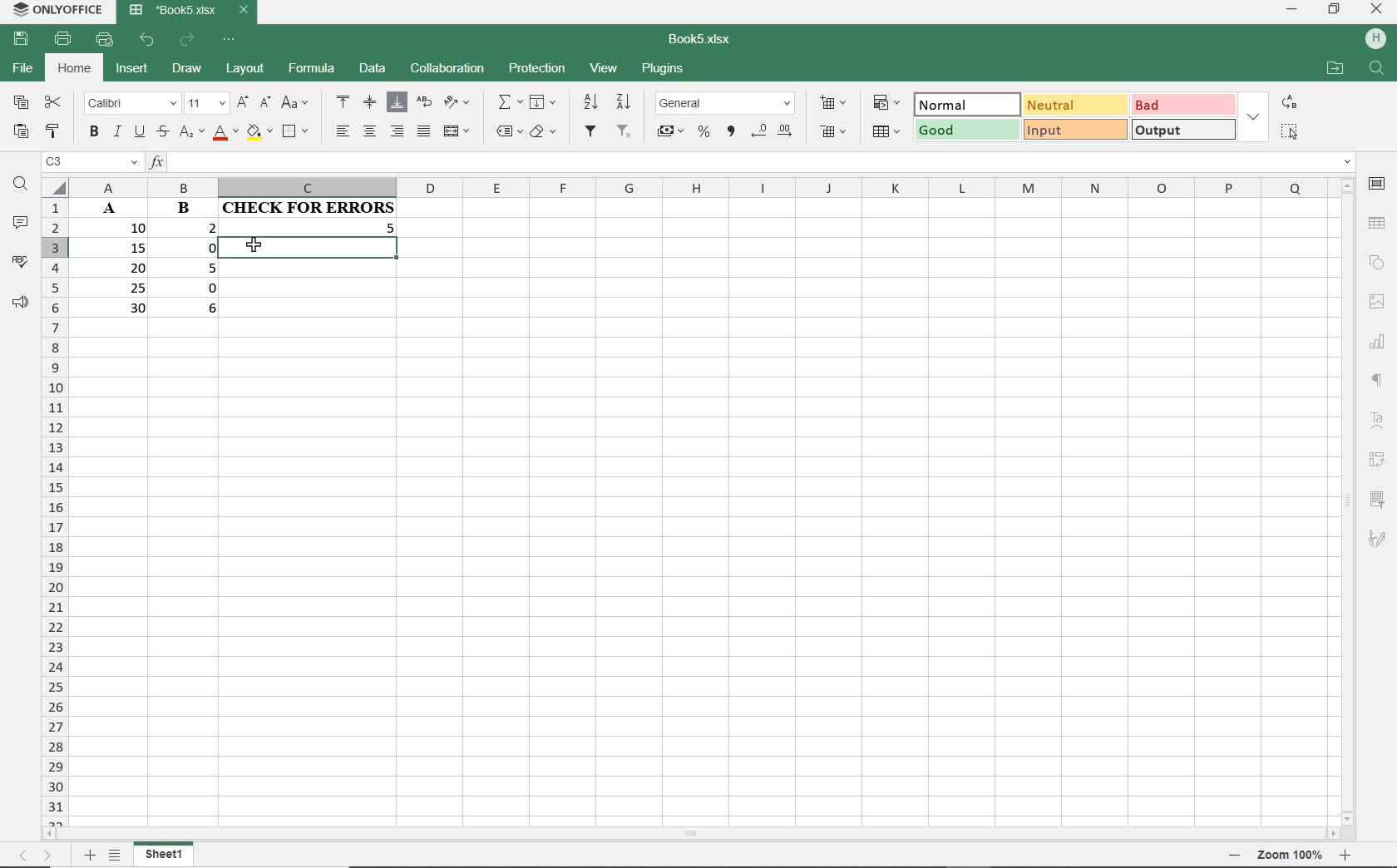 Image resolution: width=1397 pixels, height=868 pixels. What do you see at coordinates (541, 102) in the screenshot?
I see `FILL` at bounding box center [541, 102].